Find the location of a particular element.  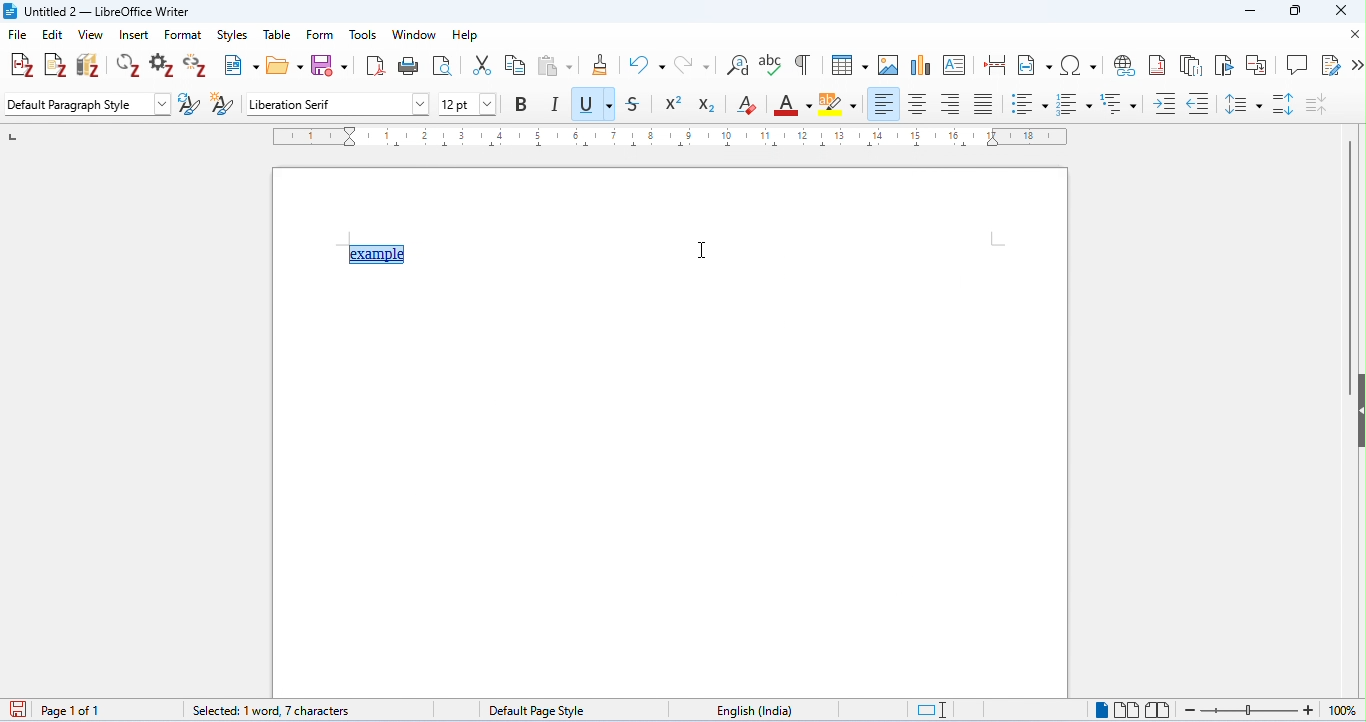

redo is located at coordinates (692, 65).